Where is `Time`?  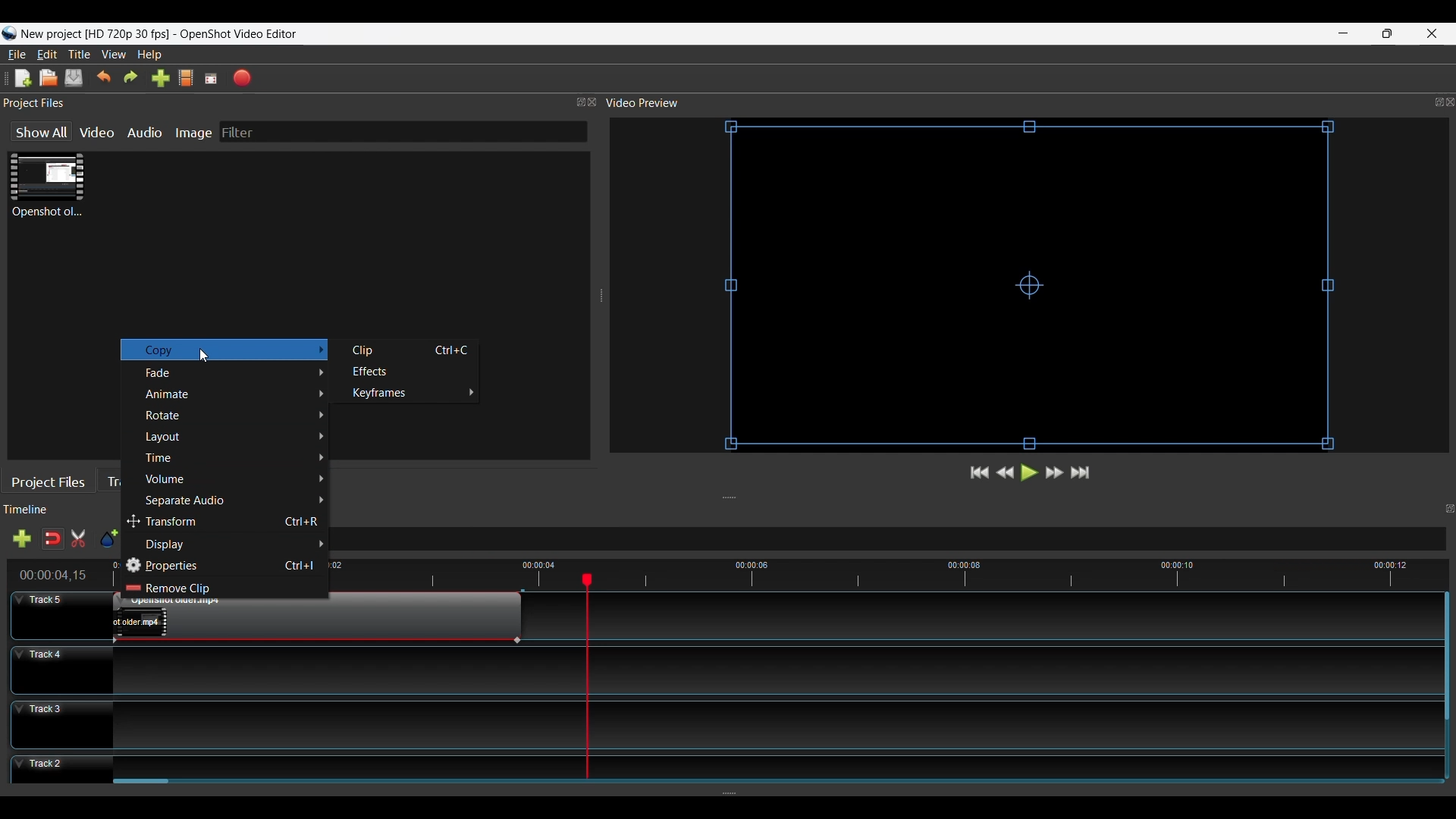
Time is located at coordinates (234, 457).